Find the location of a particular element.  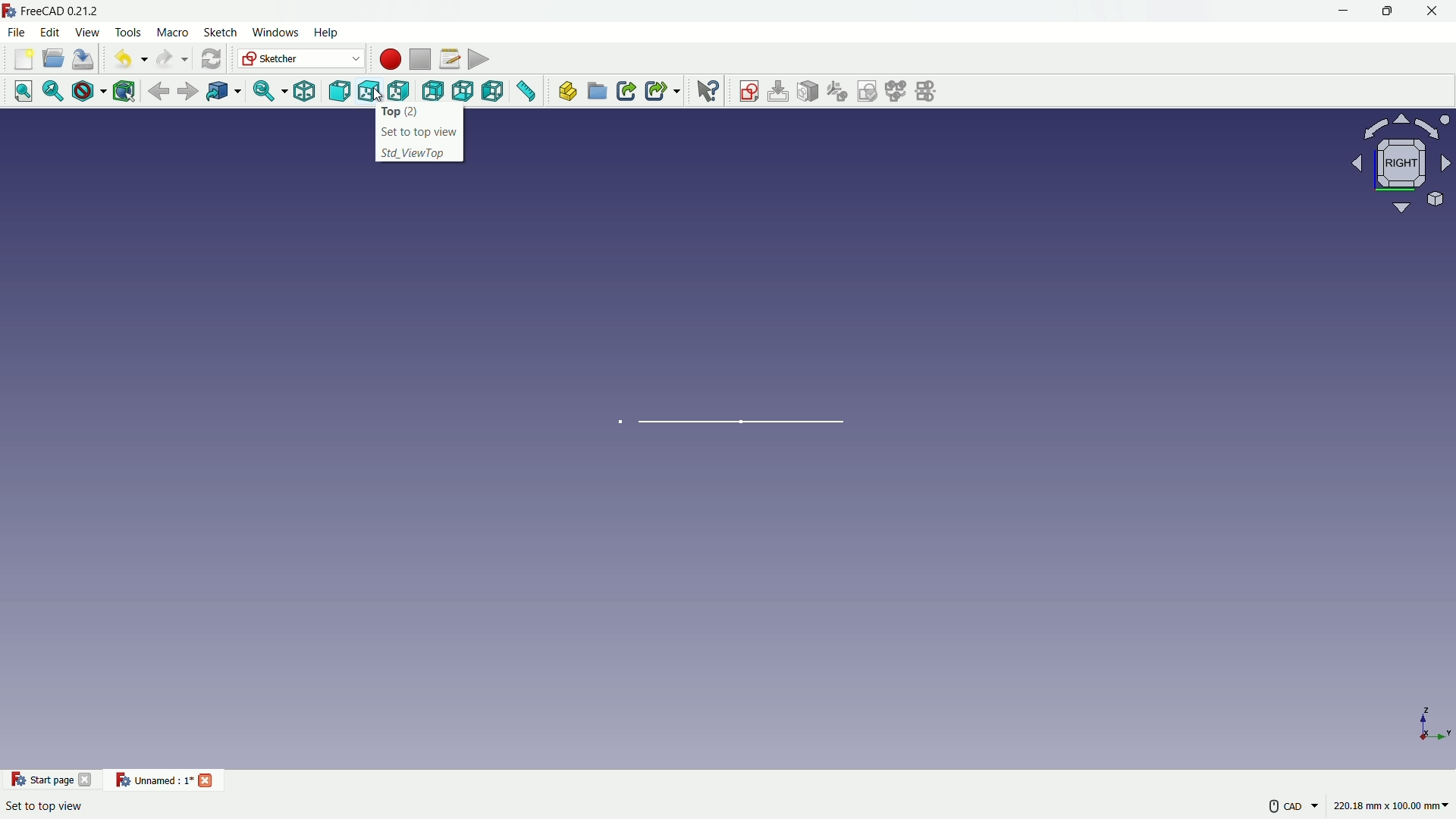

minimize is located at coordinates (1343, 12).